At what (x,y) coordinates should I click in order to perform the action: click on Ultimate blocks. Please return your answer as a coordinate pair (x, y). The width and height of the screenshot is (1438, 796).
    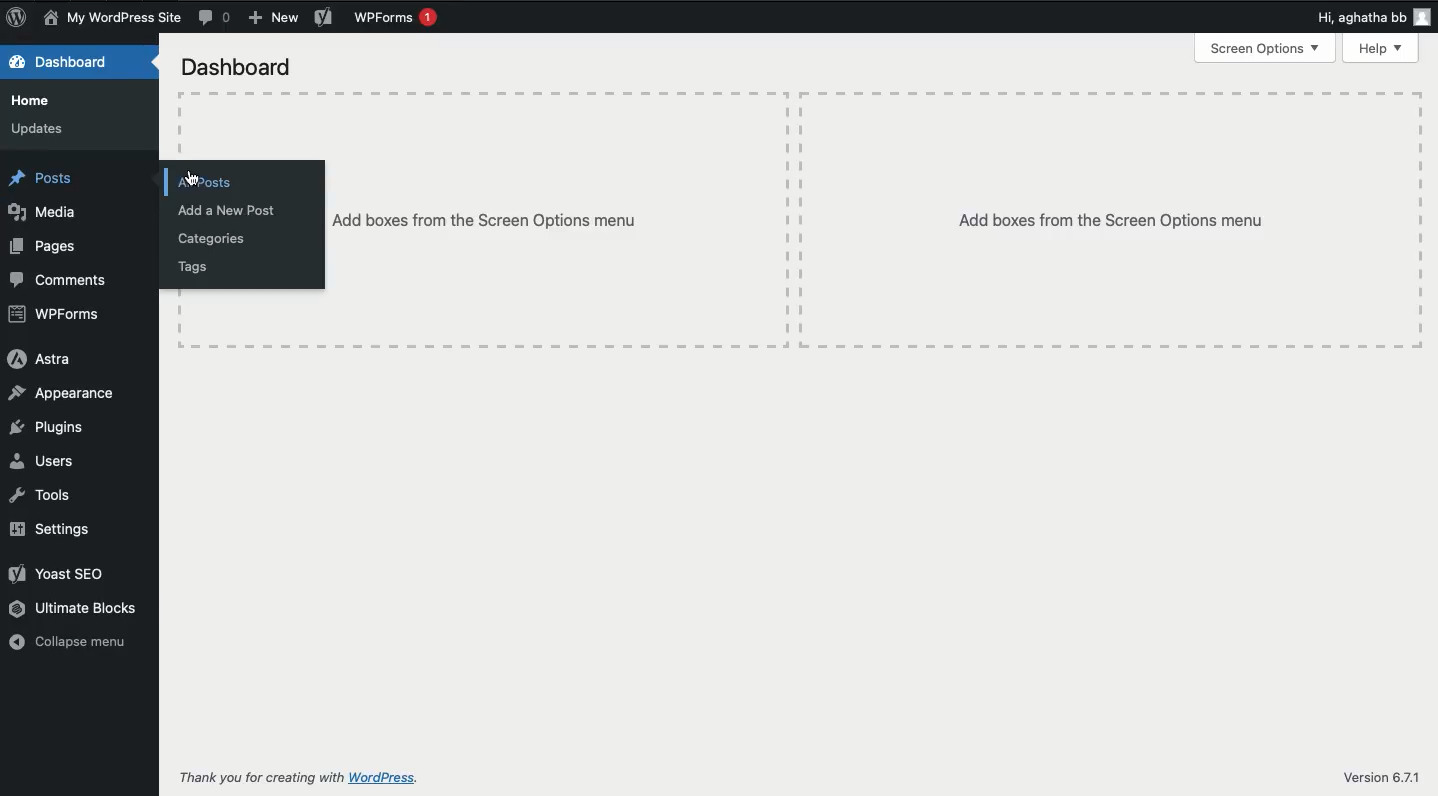
    Looking at the image, I should click on (74, 607).